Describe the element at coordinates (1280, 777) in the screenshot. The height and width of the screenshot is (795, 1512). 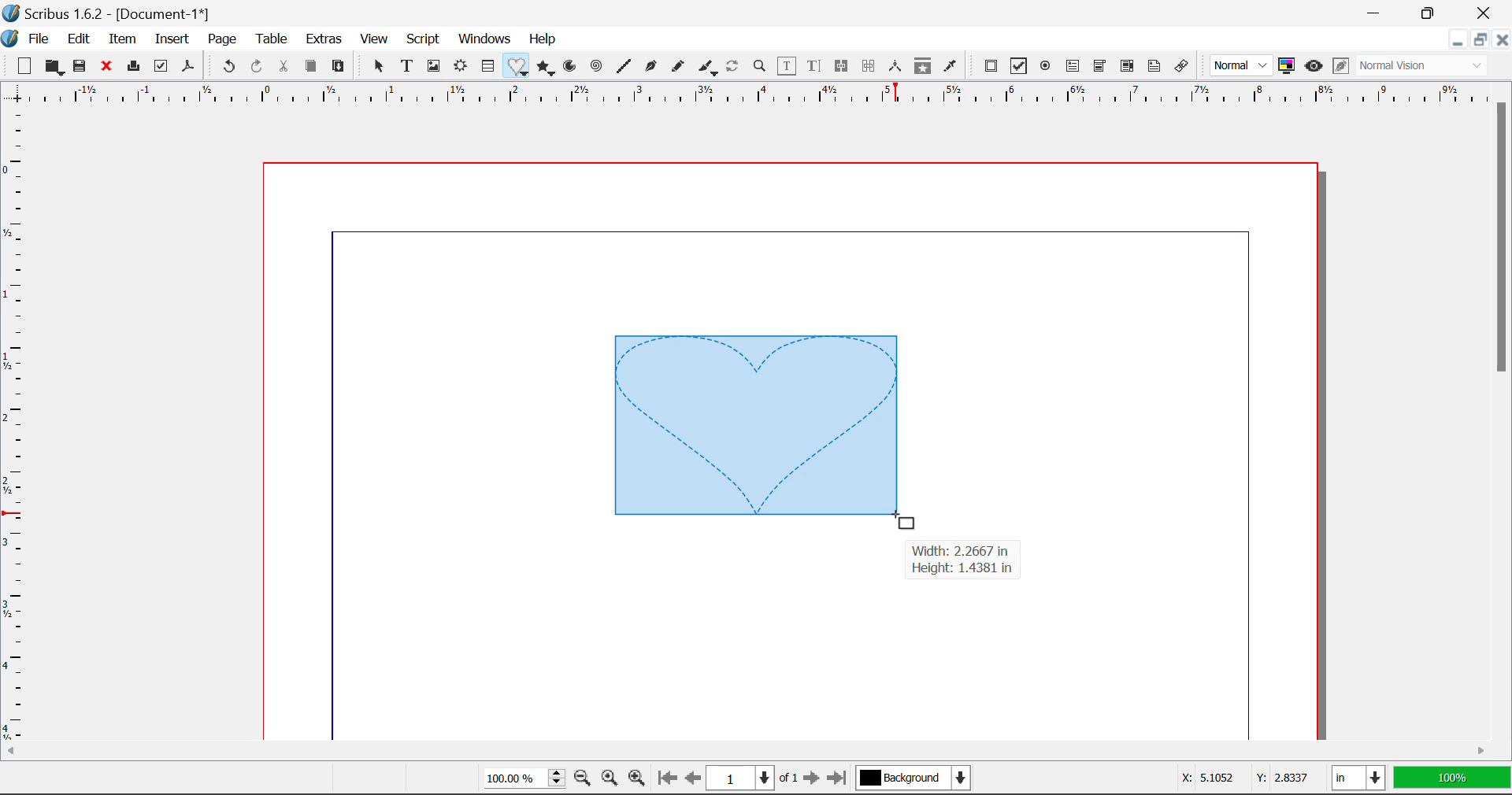
I see `Y: 2.8337` at that location.